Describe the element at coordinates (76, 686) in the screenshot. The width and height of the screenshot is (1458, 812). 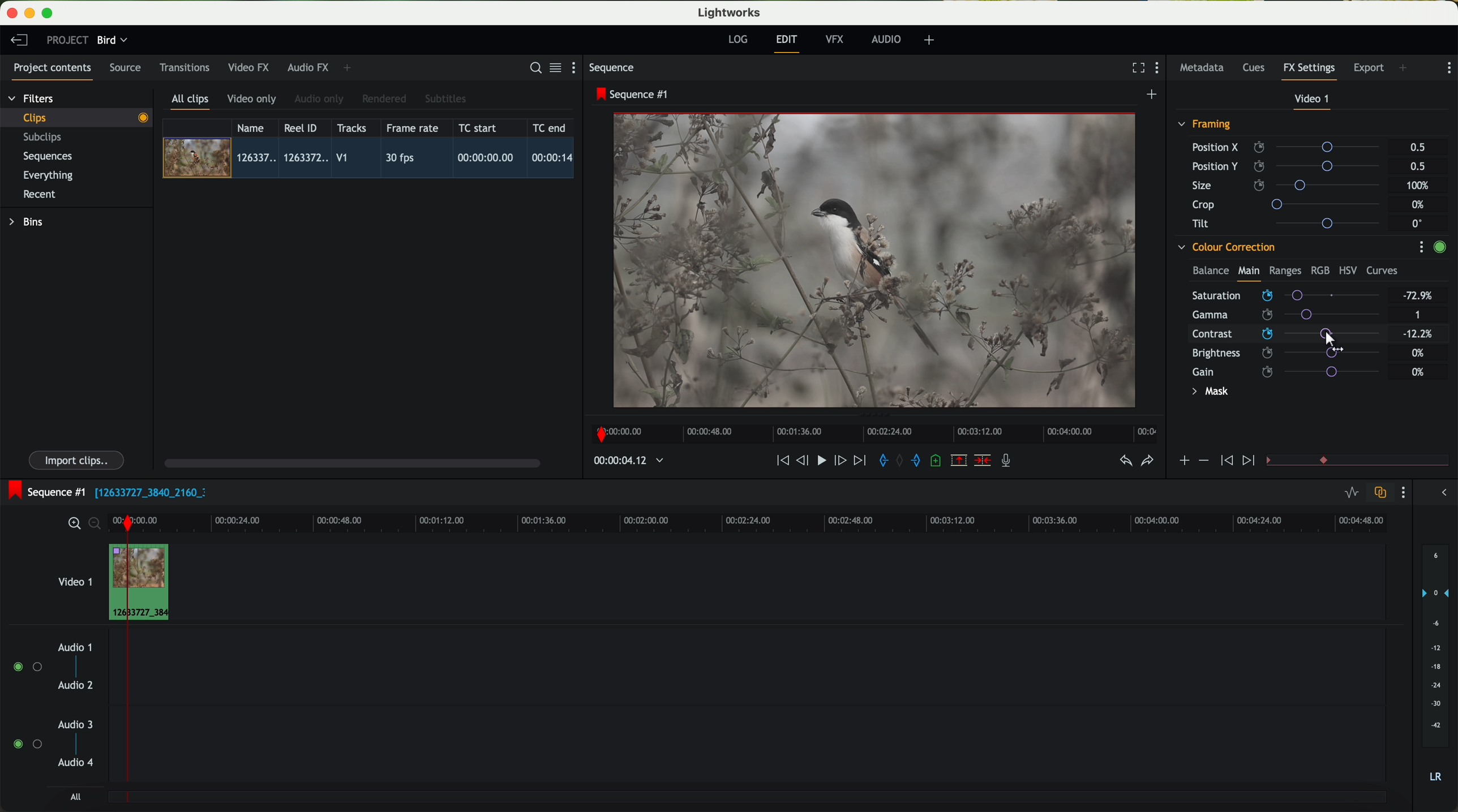
I see `audio 2` at that location.